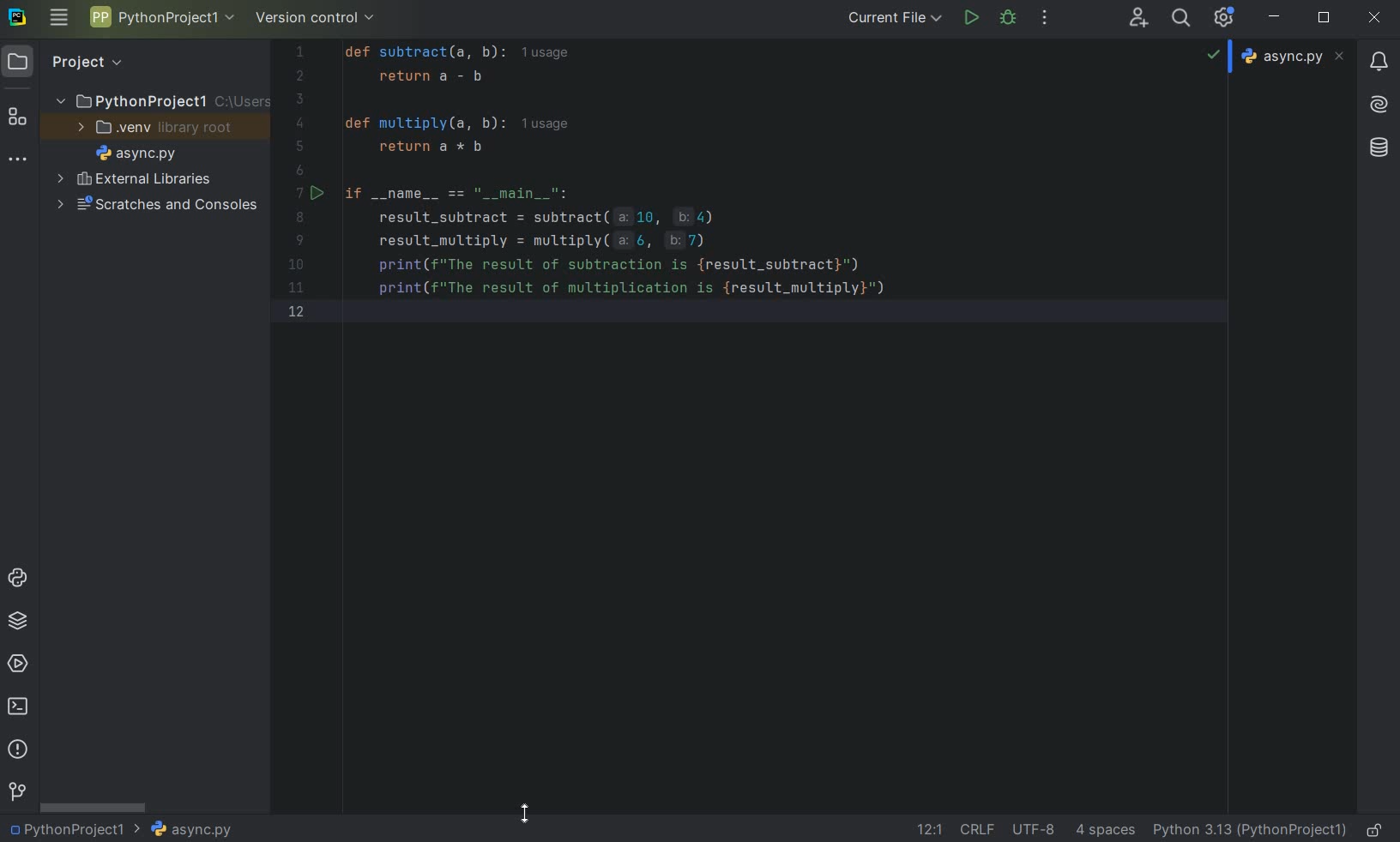  I want to click on line separtor, so click(975, 828).